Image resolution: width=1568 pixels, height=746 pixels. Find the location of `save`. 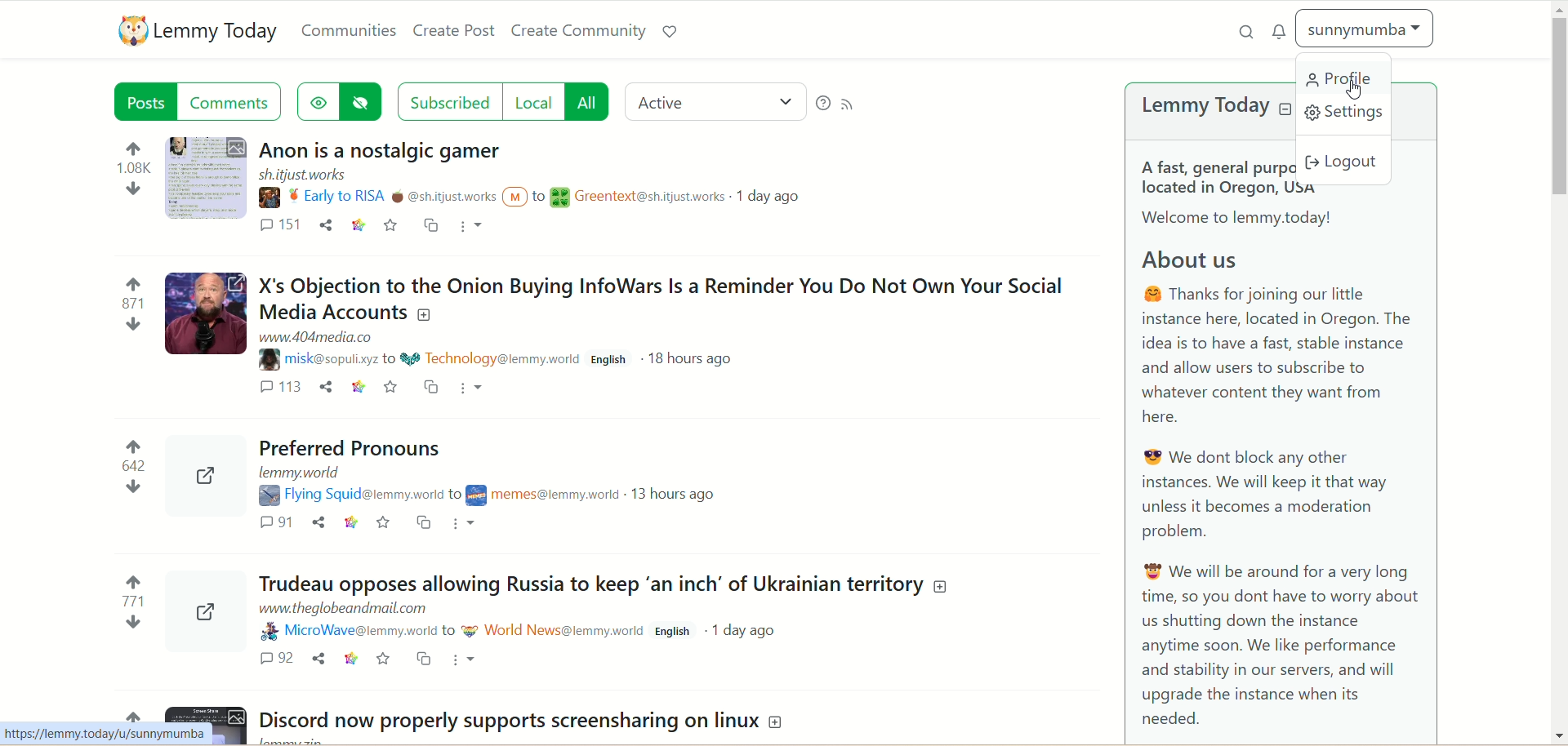

save is located at coordinates (390, 225).